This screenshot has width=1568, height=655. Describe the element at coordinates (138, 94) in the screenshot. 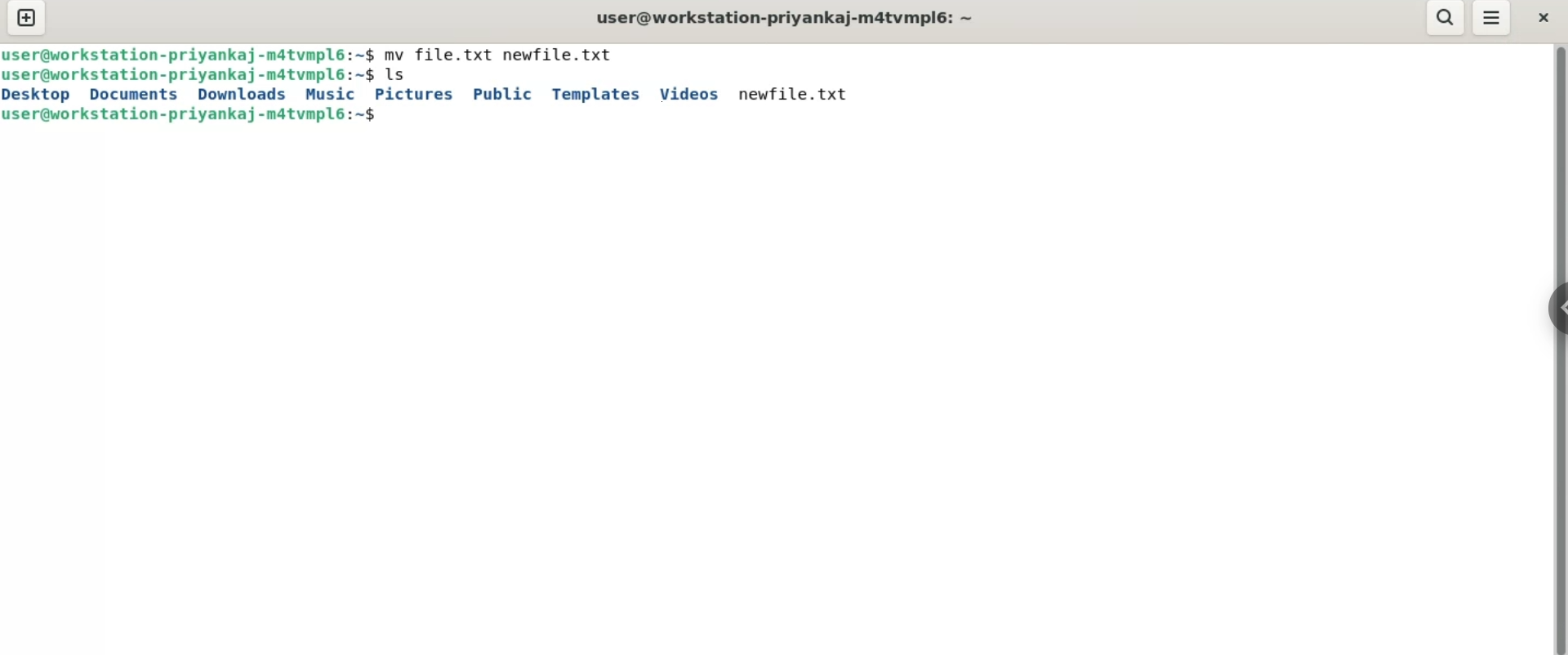

I see `documents` at that location.